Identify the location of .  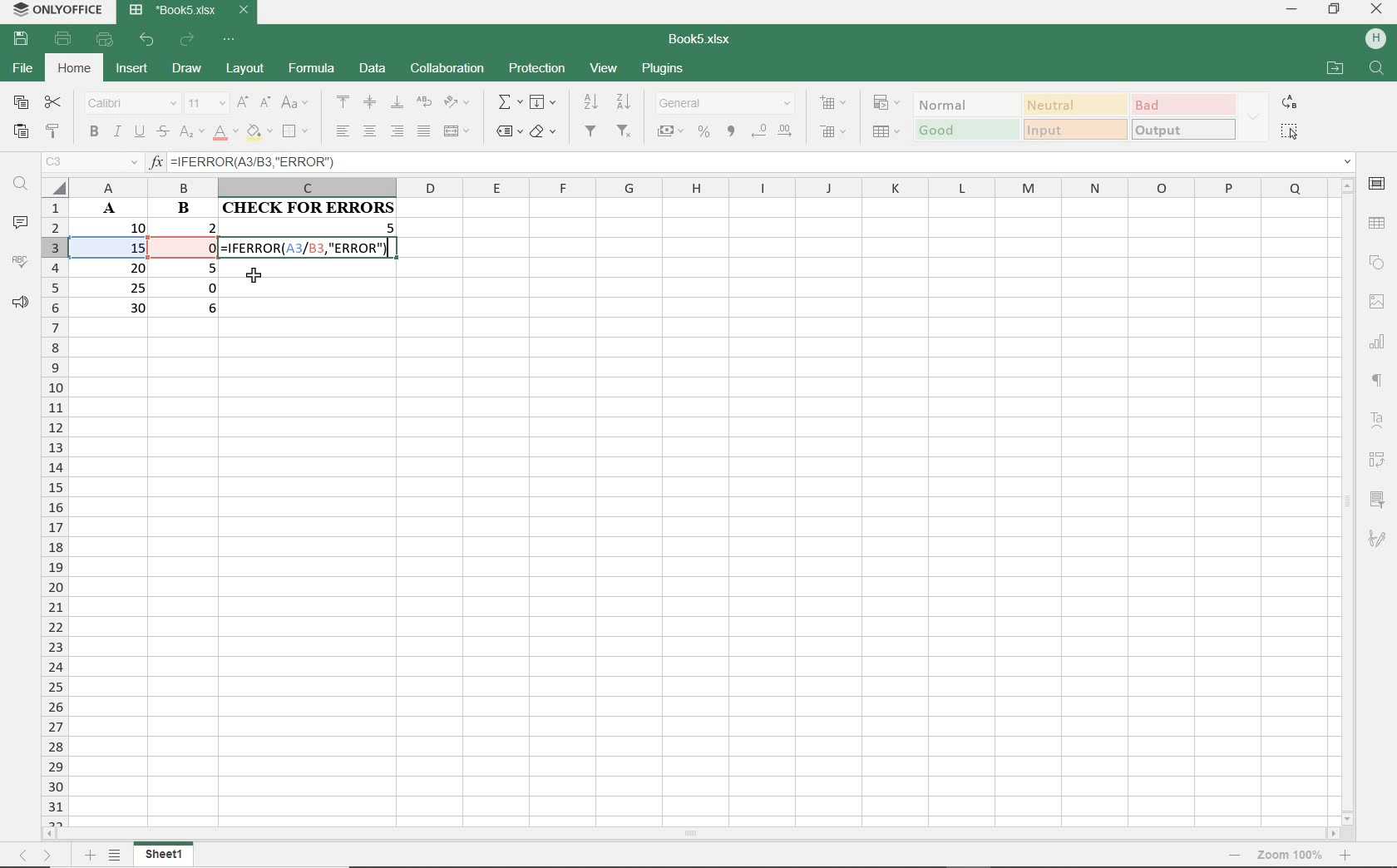
(1238, 856).